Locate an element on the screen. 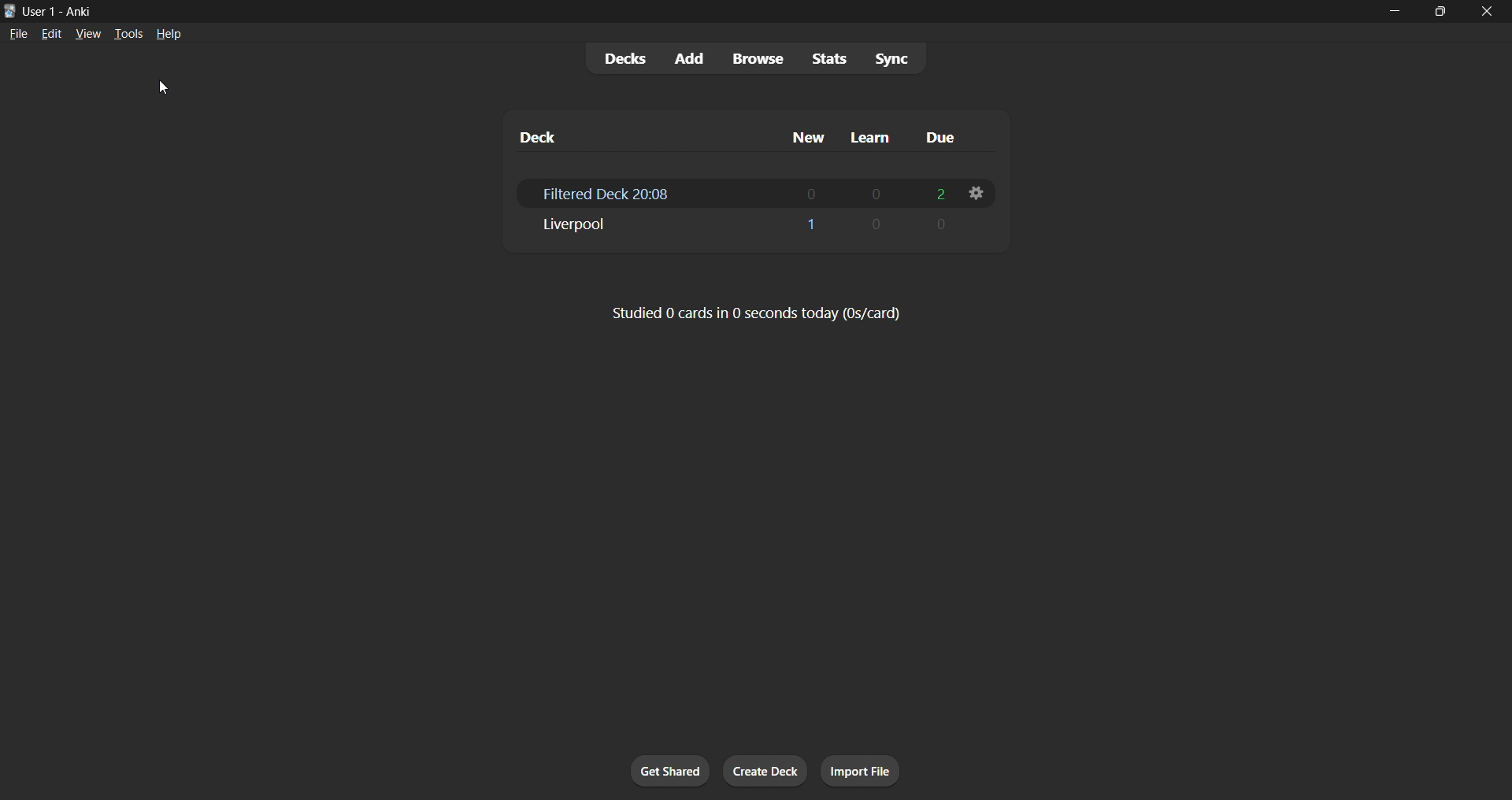 Image resolution: width=1512 pixels, height=800 pixels. browse is located at coordinates (755, 58).